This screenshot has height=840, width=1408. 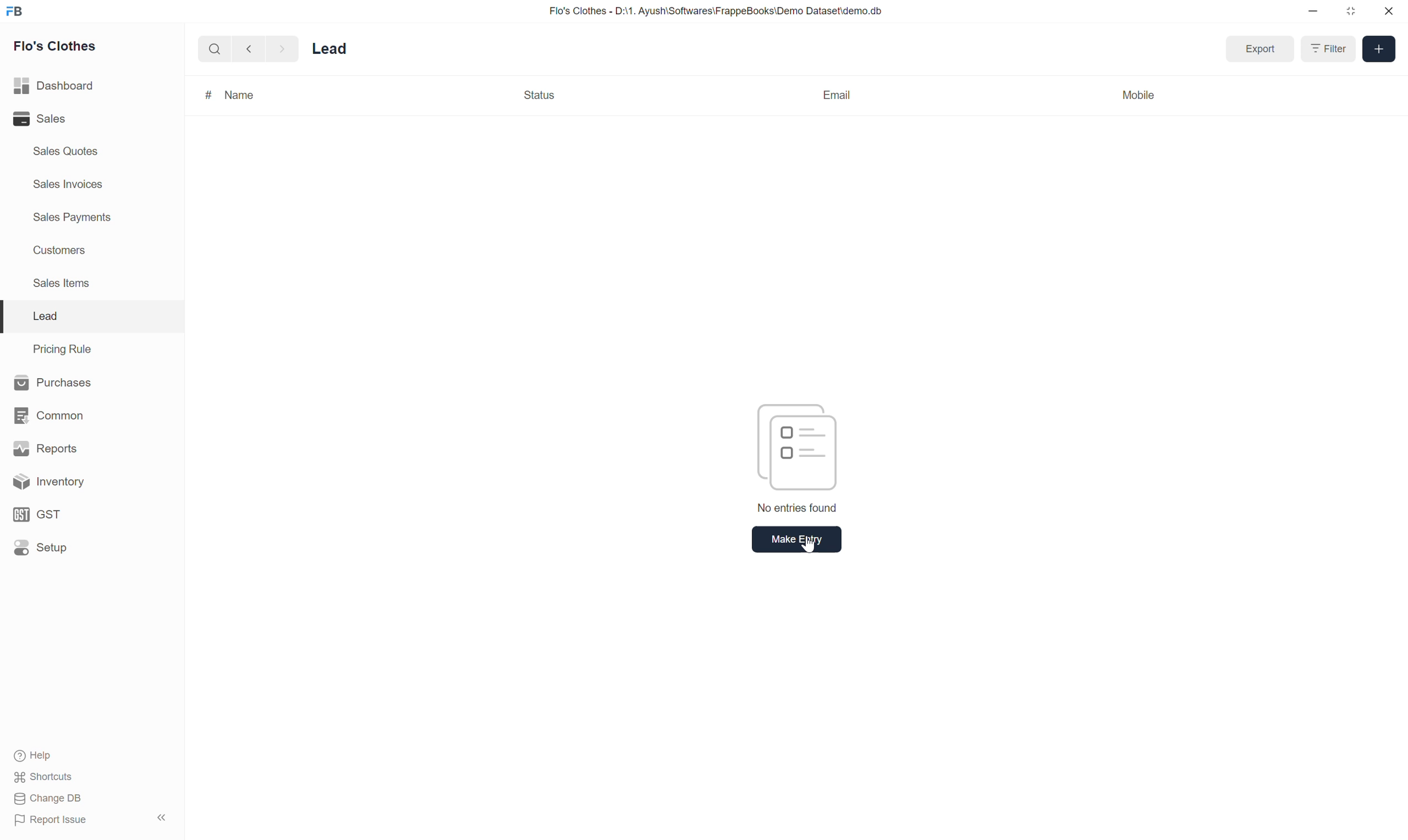 I want to click on cursor, so click(x=811, y=547).